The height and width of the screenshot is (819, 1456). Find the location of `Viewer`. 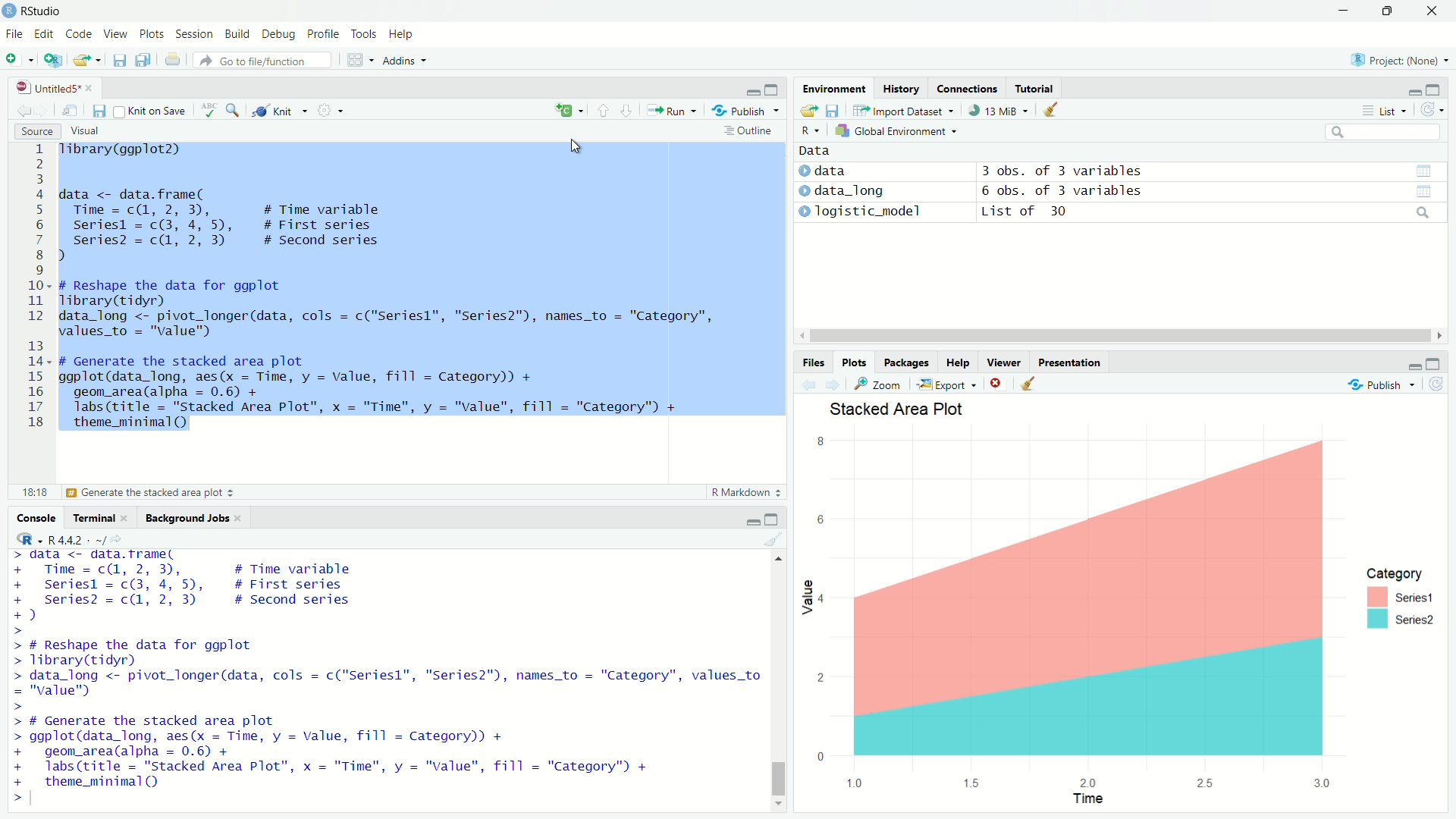

Viewer is located at coordinates (1003, 362).